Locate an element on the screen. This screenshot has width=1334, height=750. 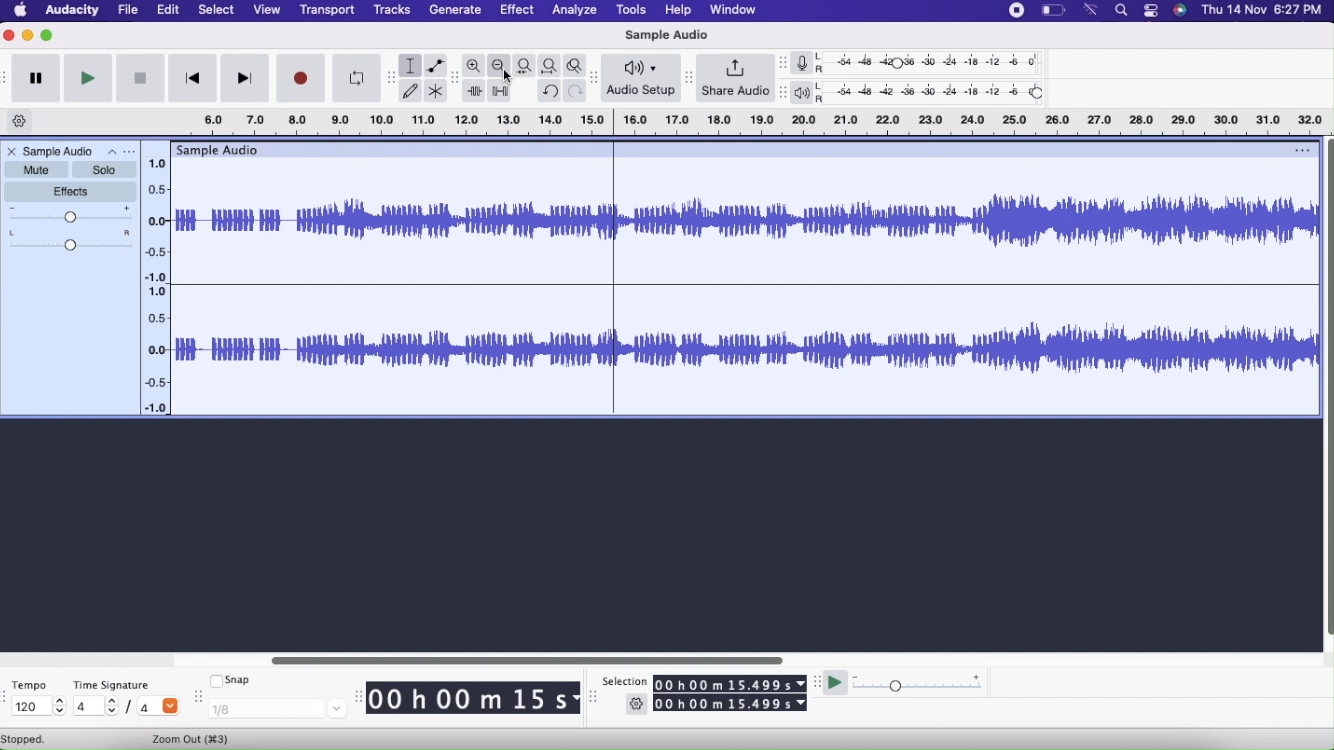
Solo is located at coordinates (105, 169).